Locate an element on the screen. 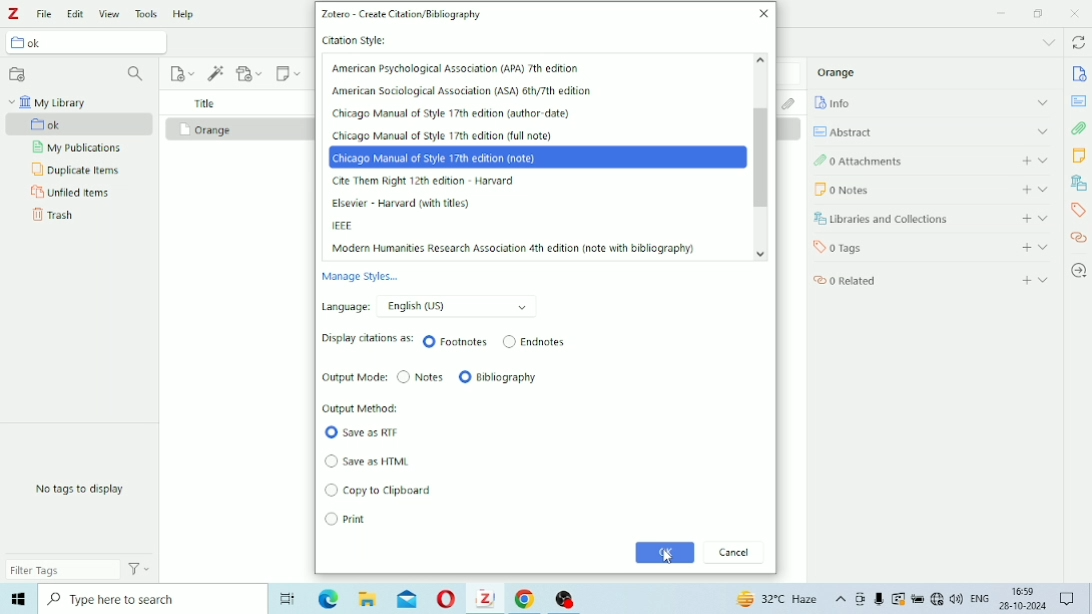  Type here to search is located at coordinates (149, 598).